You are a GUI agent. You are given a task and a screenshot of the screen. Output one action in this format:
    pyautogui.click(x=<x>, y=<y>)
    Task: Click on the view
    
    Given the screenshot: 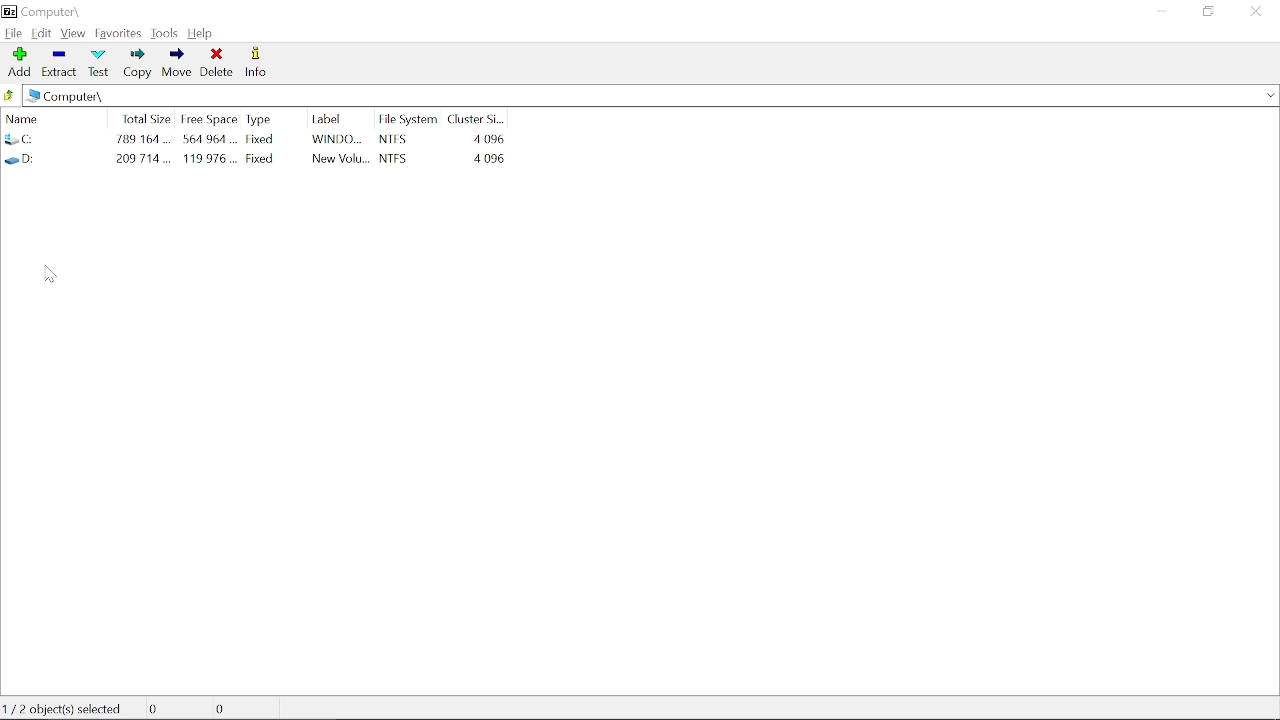 What is the action you would take?
    pyautogui.click(x=73, y=34)
    